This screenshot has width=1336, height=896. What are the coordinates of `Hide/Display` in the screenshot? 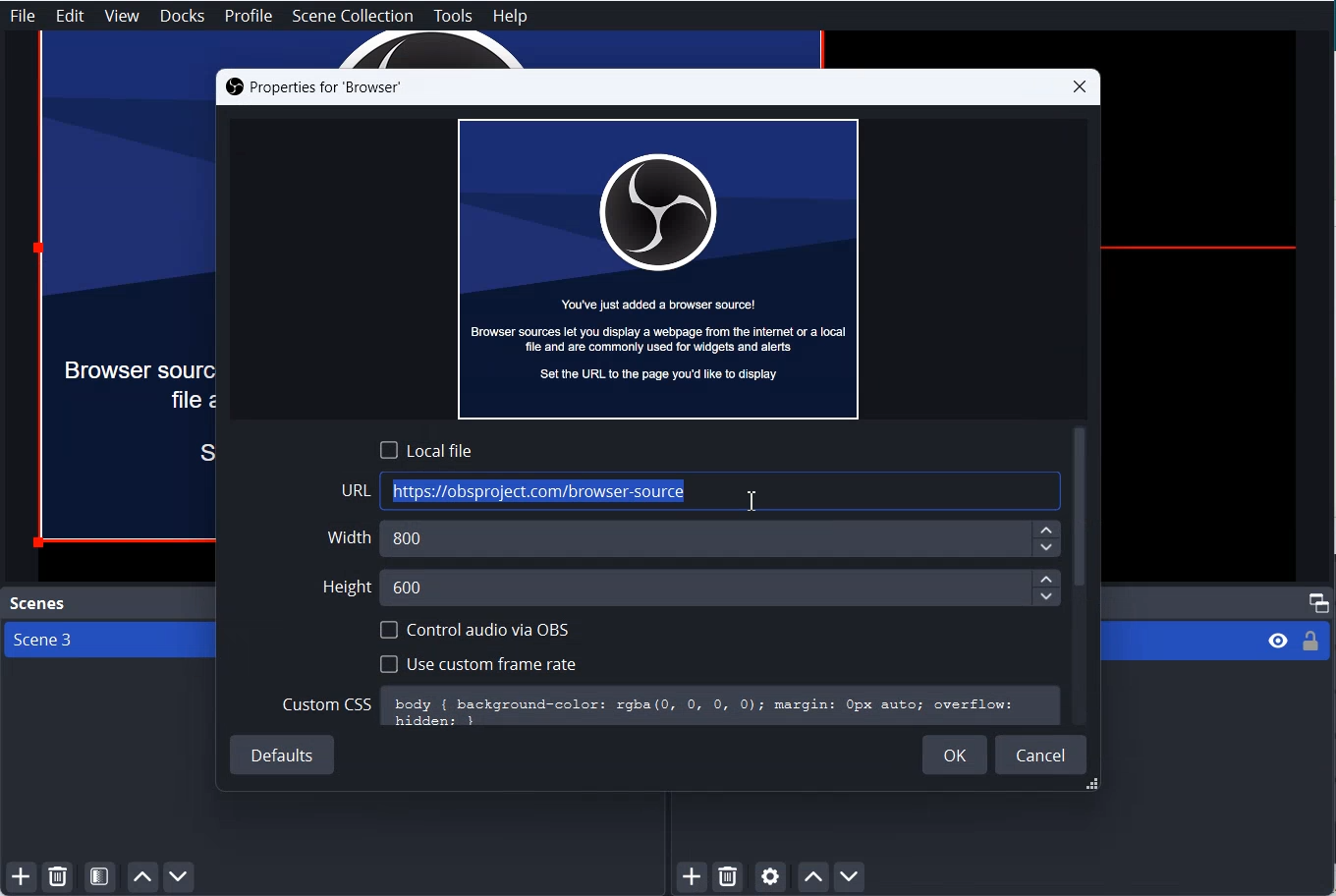 It's located at (1276, 642).